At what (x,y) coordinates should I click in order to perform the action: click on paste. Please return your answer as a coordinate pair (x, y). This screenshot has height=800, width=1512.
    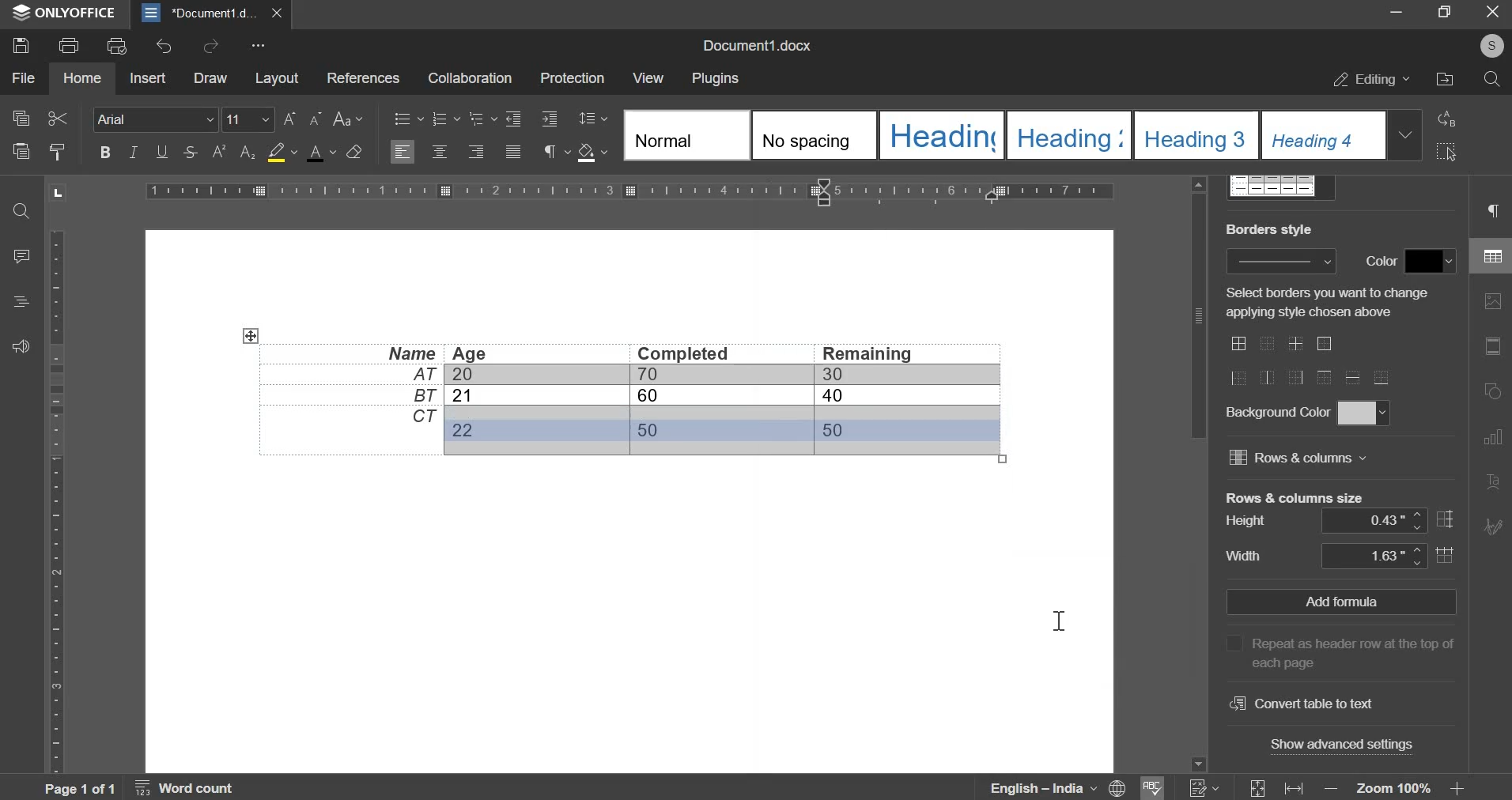
    Looking at the image, I should click on (19, 151).